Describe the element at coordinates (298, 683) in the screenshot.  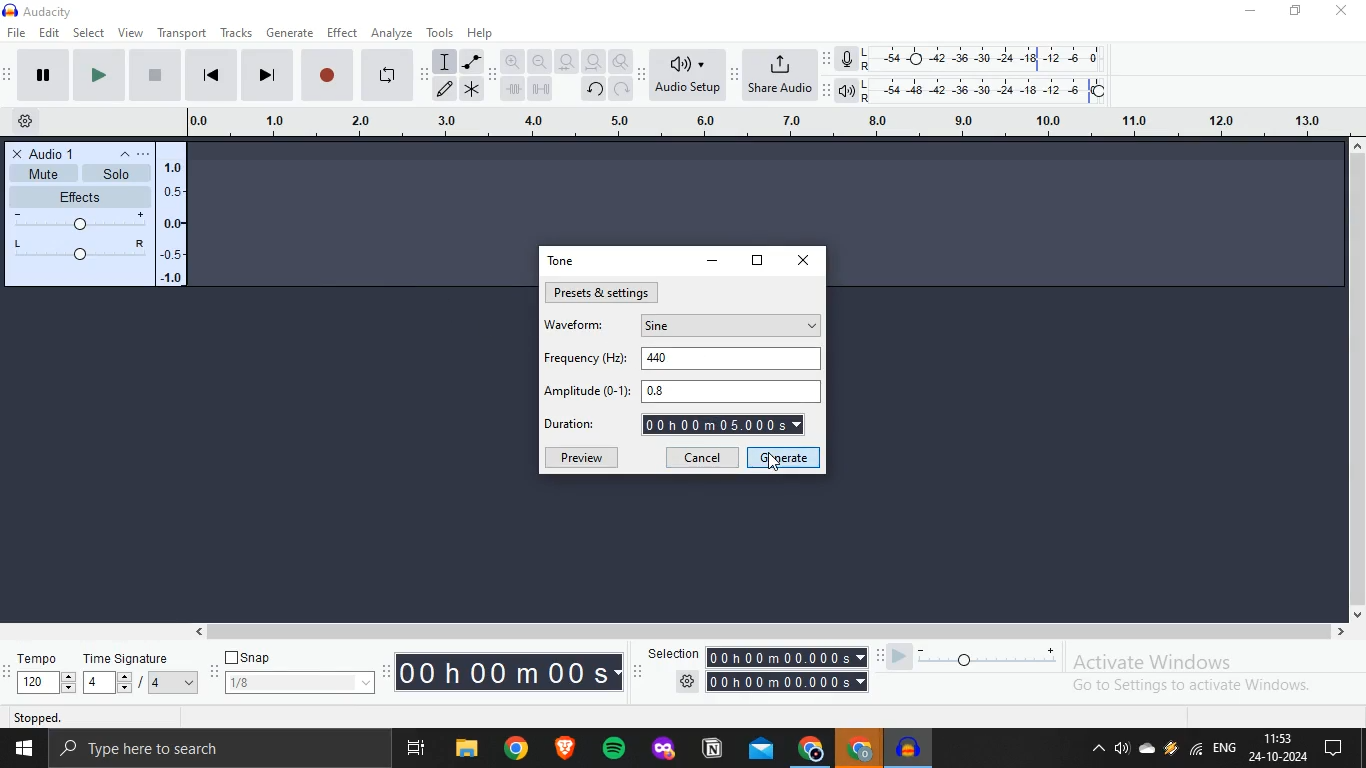
I see `1/8` at that location.